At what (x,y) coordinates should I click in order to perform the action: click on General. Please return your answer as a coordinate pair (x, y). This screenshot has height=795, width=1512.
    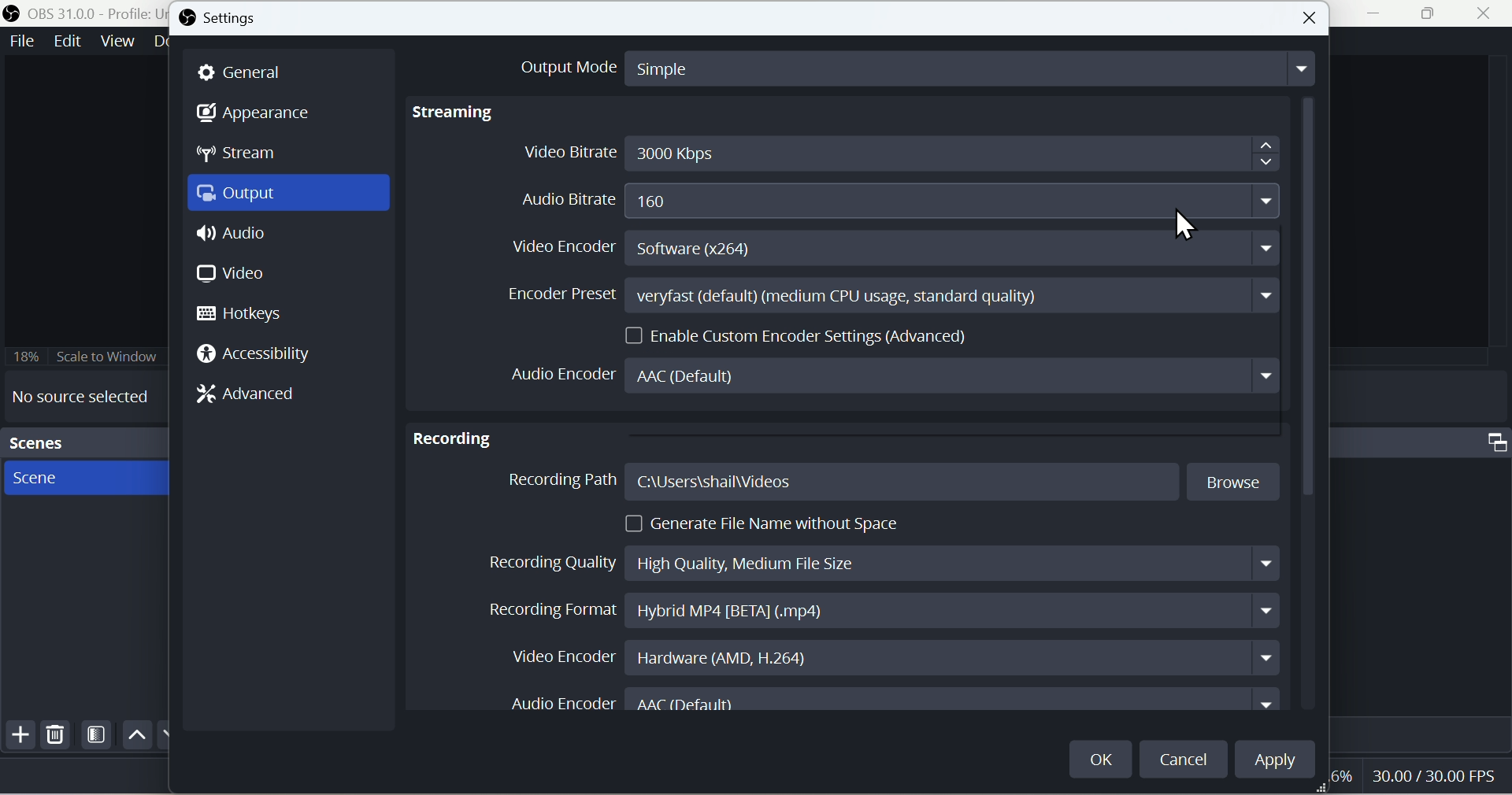
    Looking at the image, I should click on (250, 72).